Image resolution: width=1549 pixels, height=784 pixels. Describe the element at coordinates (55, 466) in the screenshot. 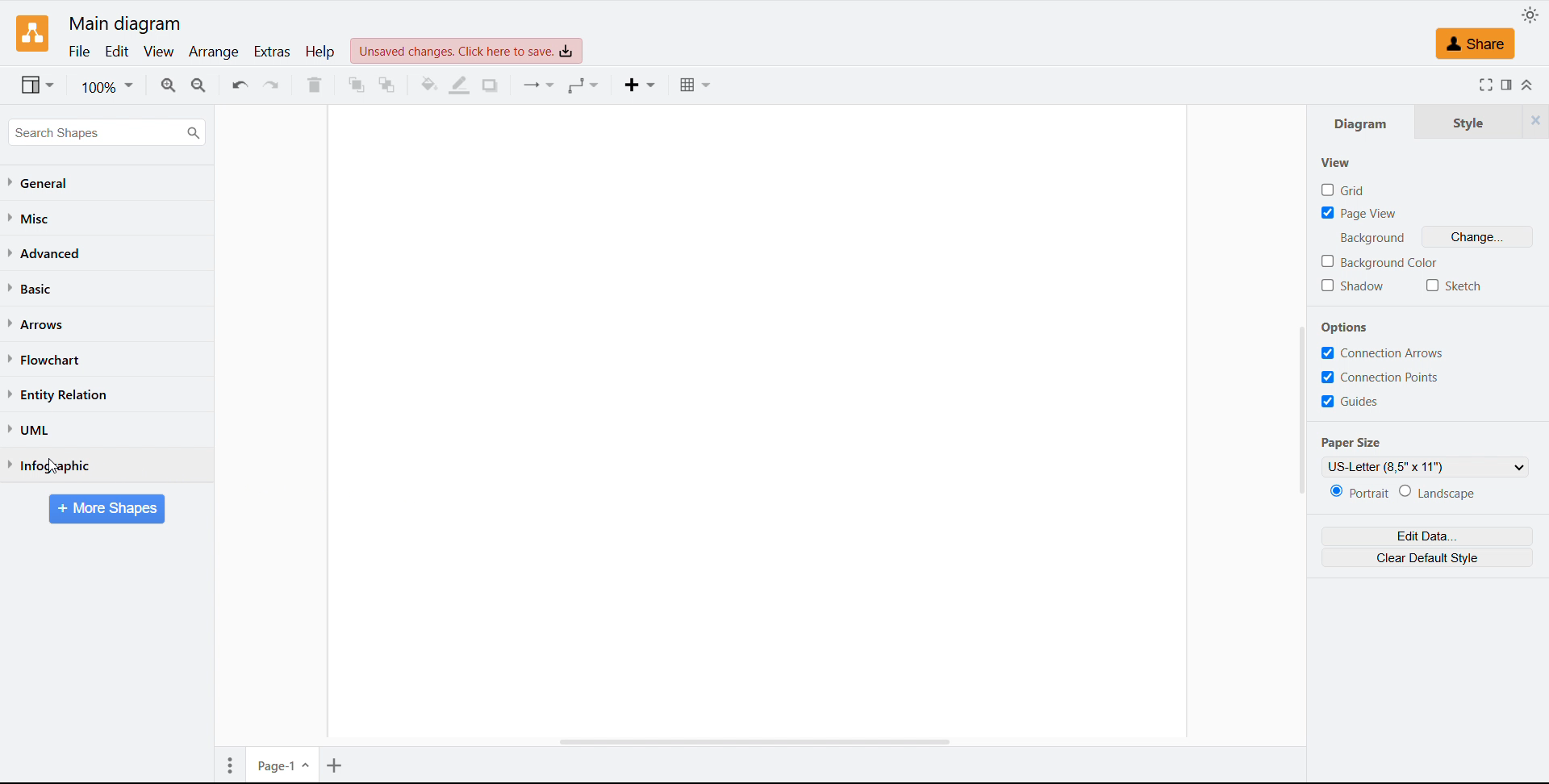

I see `Cursor ` at that location.